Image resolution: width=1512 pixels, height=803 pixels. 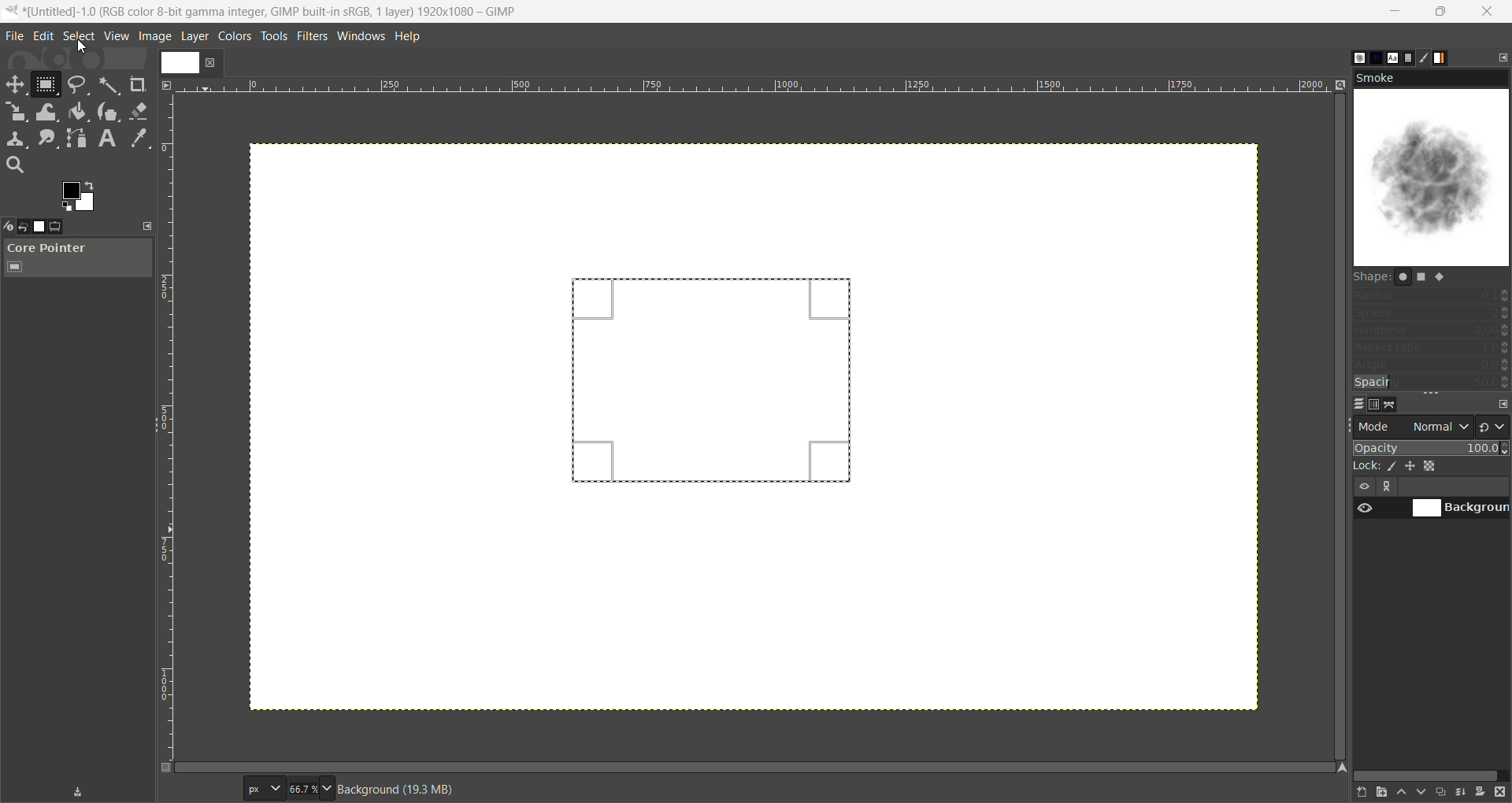 I want to click on smoke, so click(x=1432, y=169).